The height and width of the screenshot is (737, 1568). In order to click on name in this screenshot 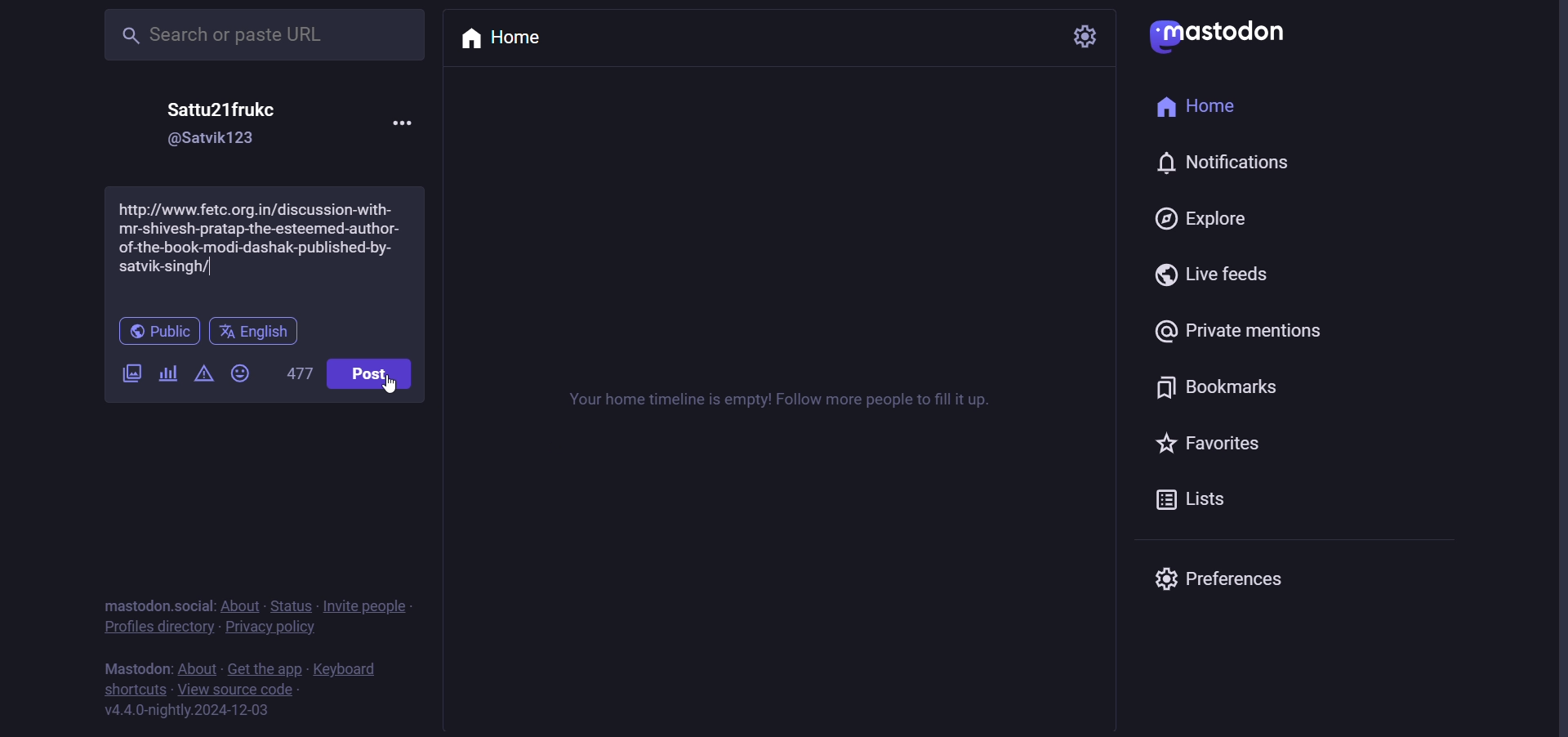, I will do `click(229, 109)`.